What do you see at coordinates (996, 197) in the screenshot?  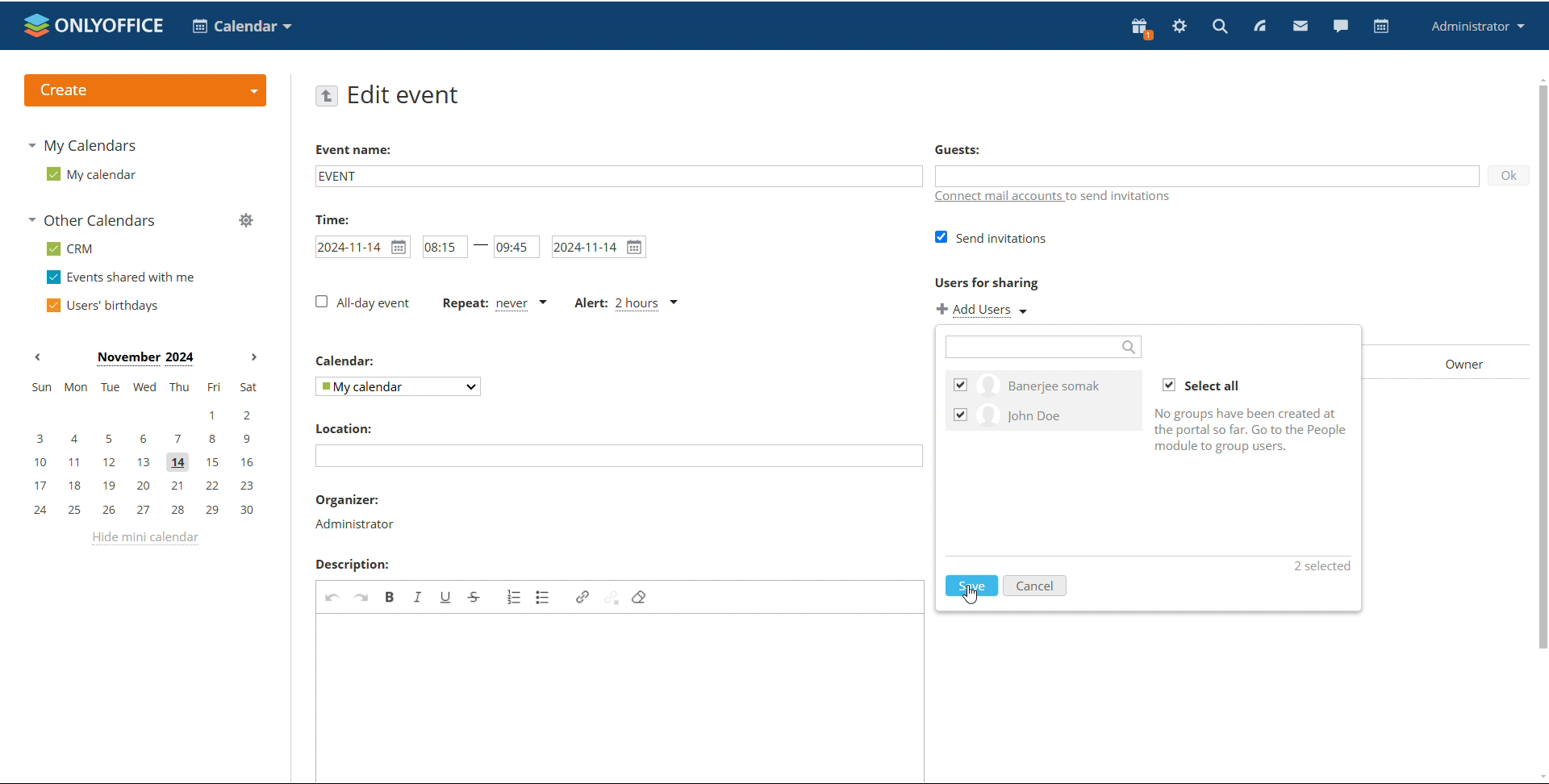 I see `connect mail accounts` at bounding box center [996, 197].